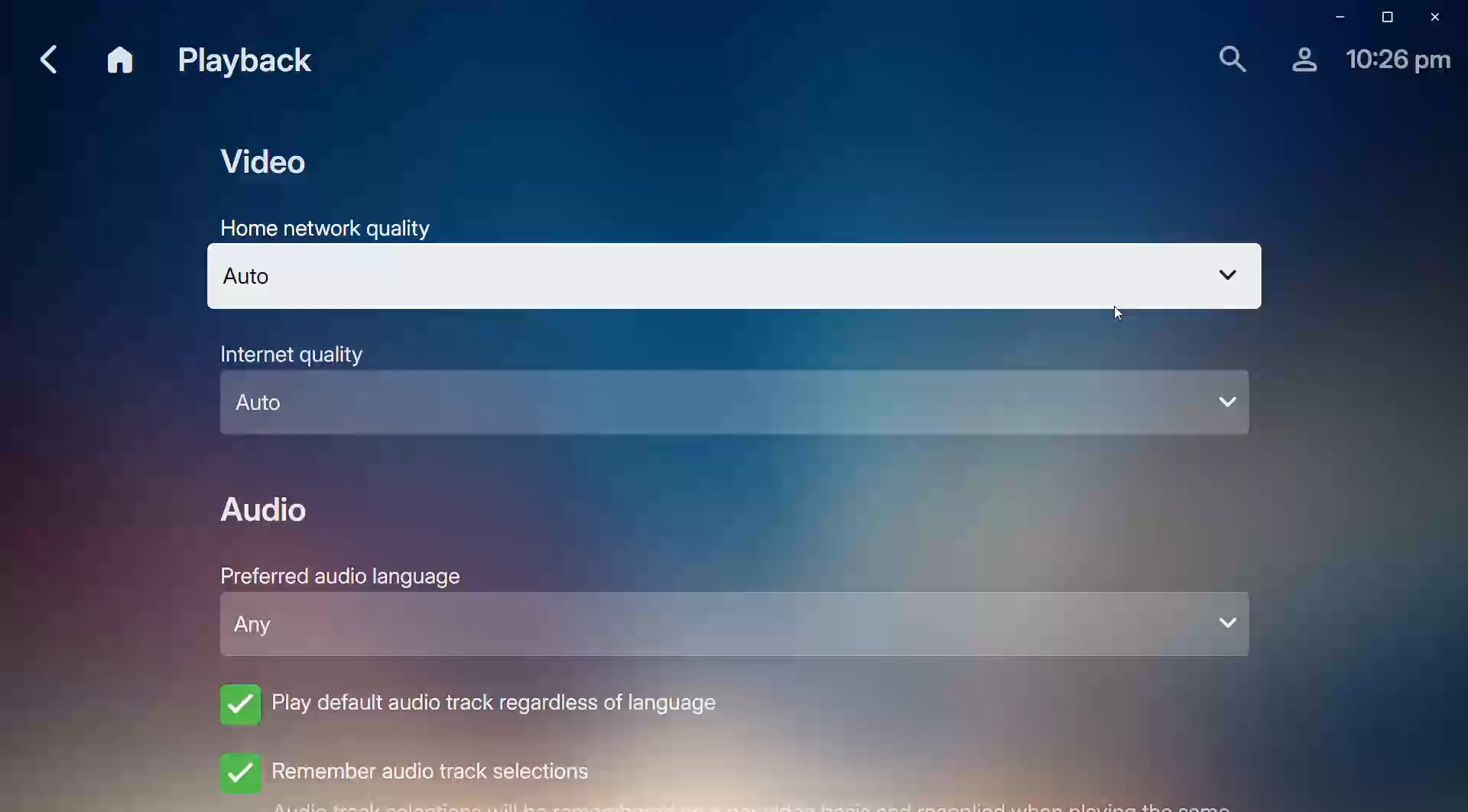  I want to click on Search, so click(1230, 60).